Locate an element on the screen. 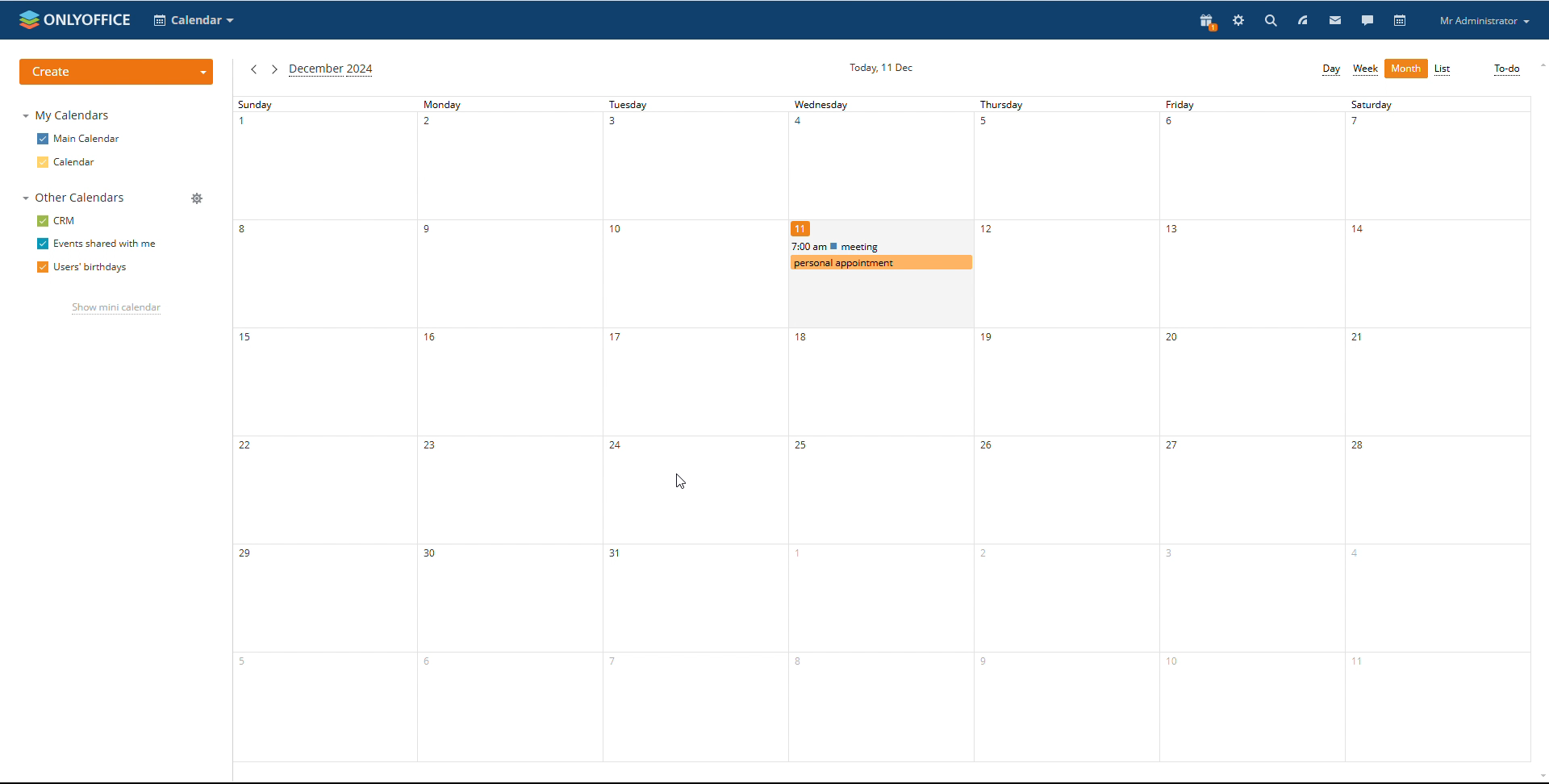  talk is located at coordinates (1368, 20).